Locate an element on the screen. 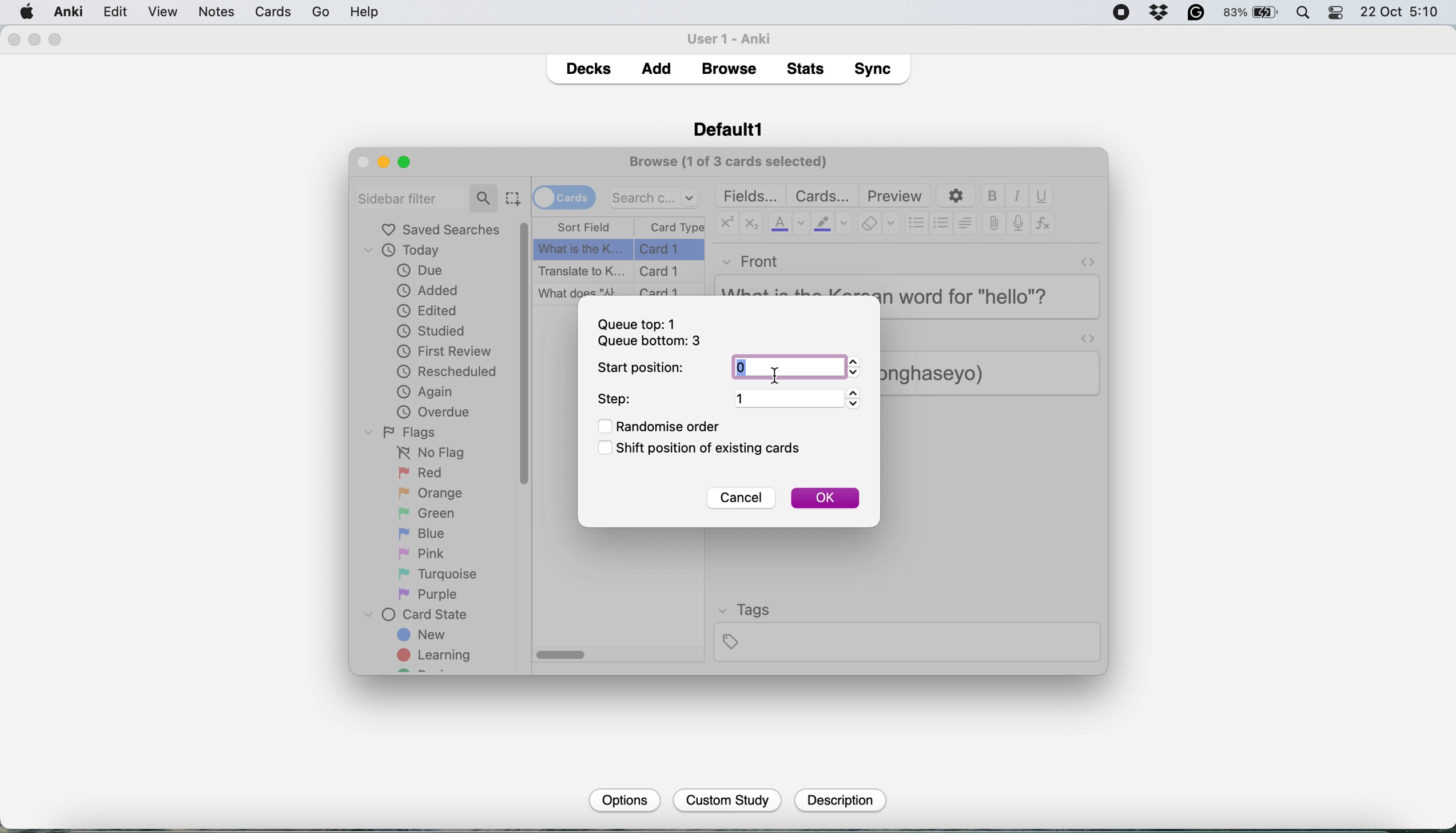  underline is located at coordinates (1041, 196).